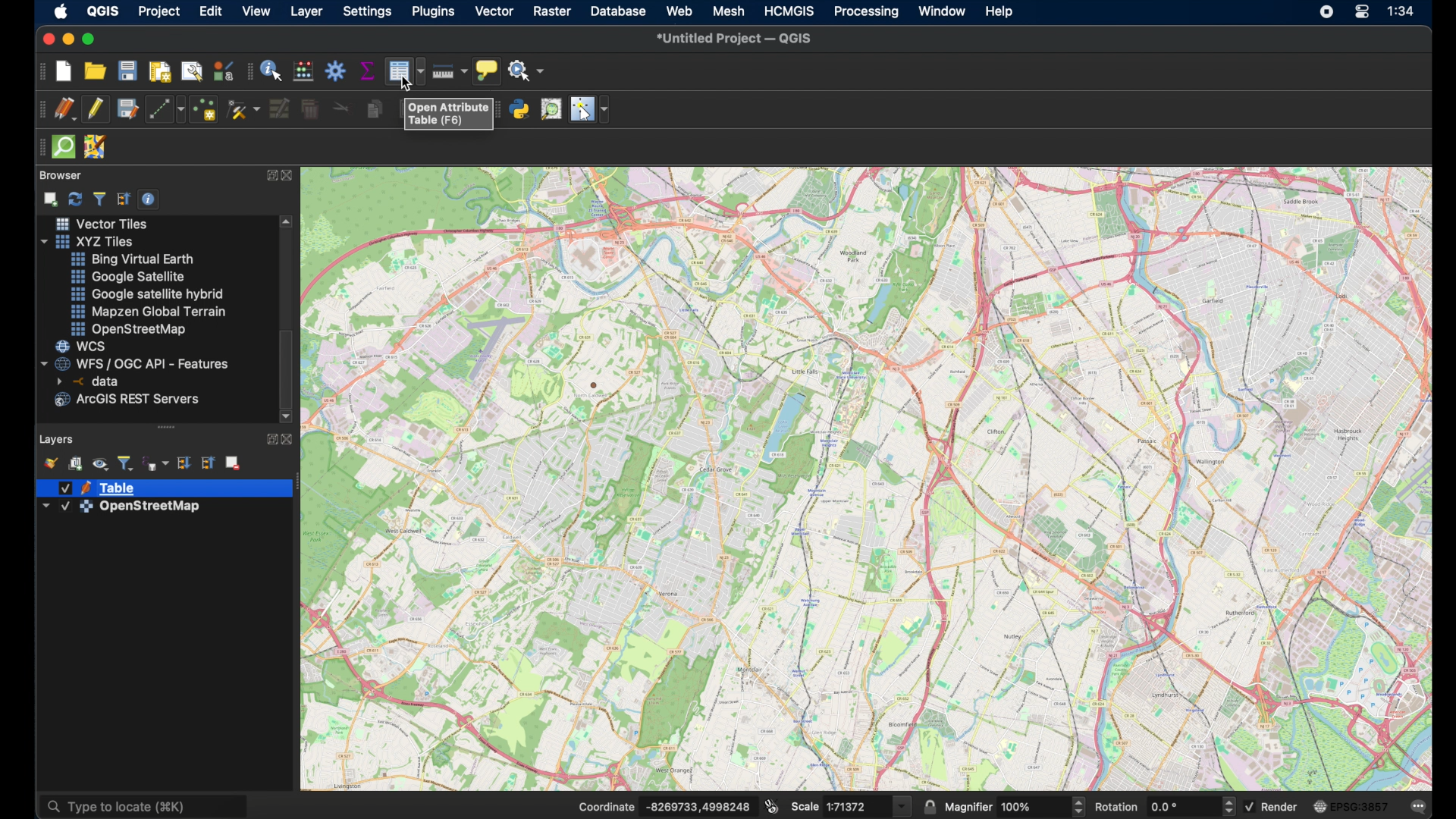 This screenshot has width=1456, height=819. Describe the element at coordinates (149, 312) in the screenshot. I see `mapzen global terrain` at that location.